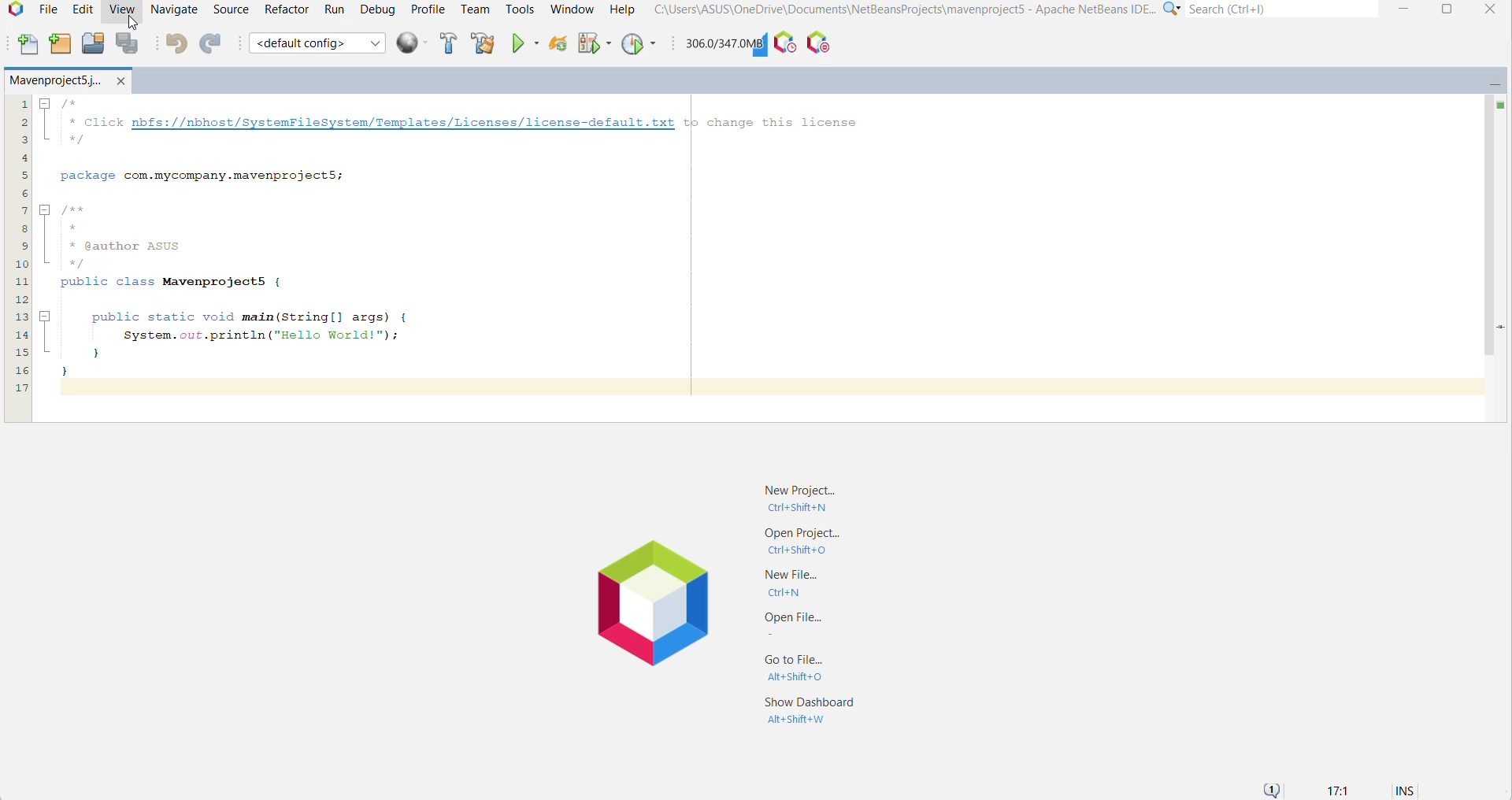 This screenshot has width=1512, height=800. Describe the element at coordinates (724, 43) in the screenshot. I see `Click to force garbage collection` at that location.